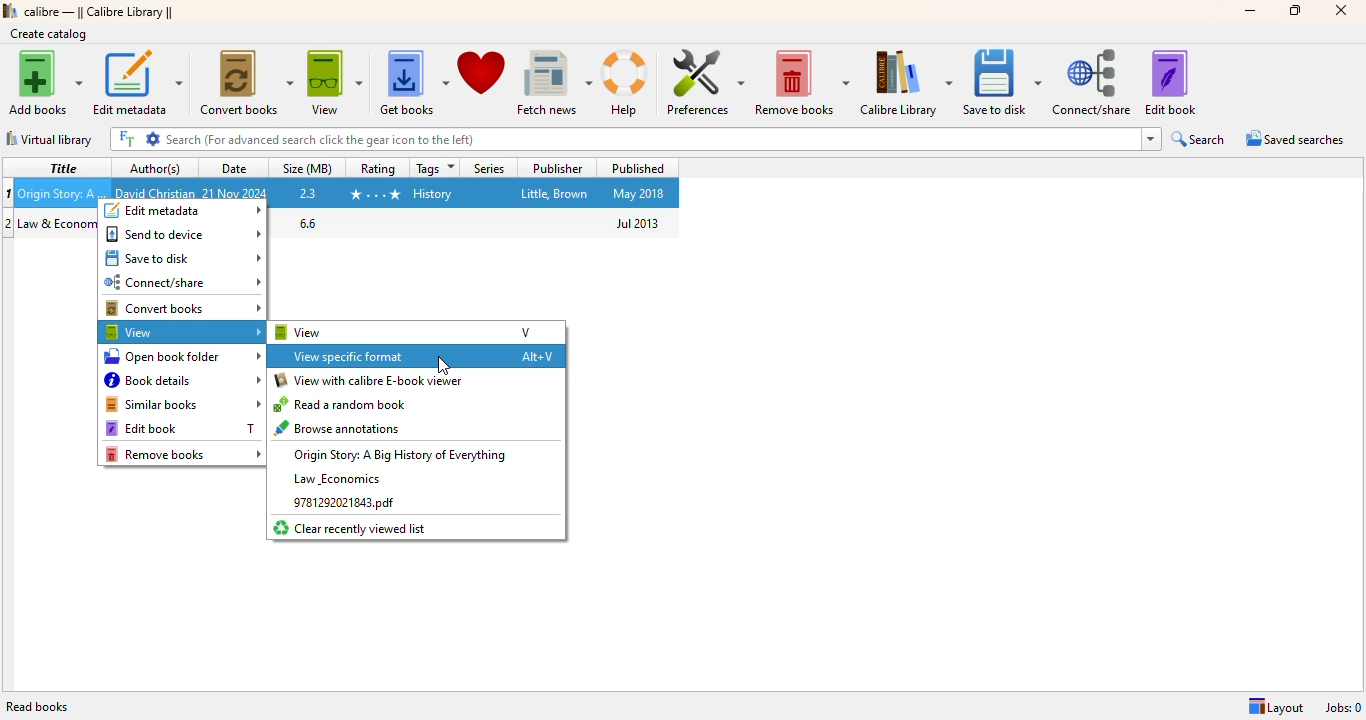 This screenshot has width=1366, height=720. I want to click on read books, so click(38, 707).